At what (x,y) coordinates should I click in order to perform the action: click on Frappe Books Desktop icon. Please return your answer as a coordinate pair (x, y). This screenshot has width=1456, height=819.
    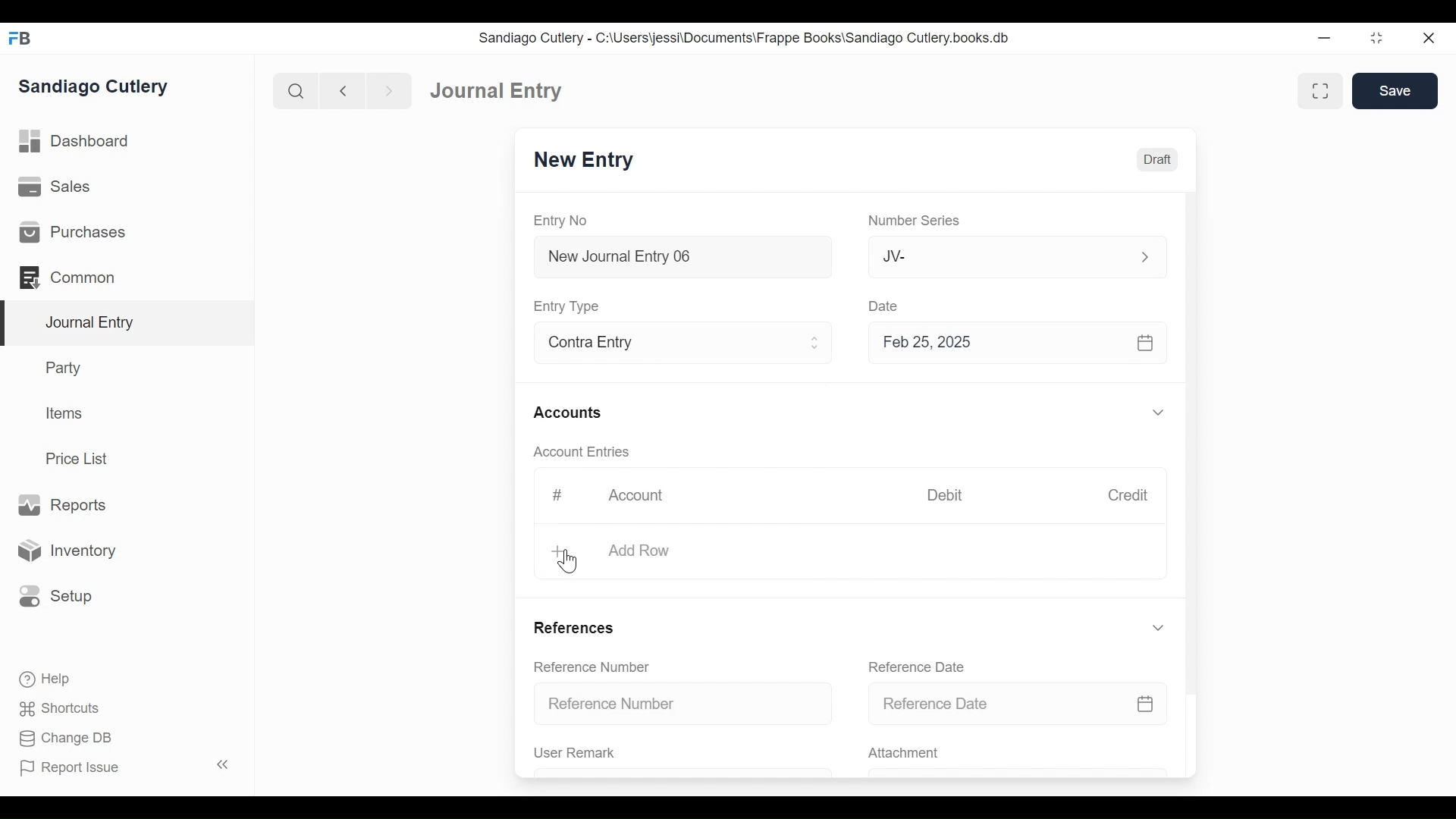
    Looking at the image, I should click on (21, 39).